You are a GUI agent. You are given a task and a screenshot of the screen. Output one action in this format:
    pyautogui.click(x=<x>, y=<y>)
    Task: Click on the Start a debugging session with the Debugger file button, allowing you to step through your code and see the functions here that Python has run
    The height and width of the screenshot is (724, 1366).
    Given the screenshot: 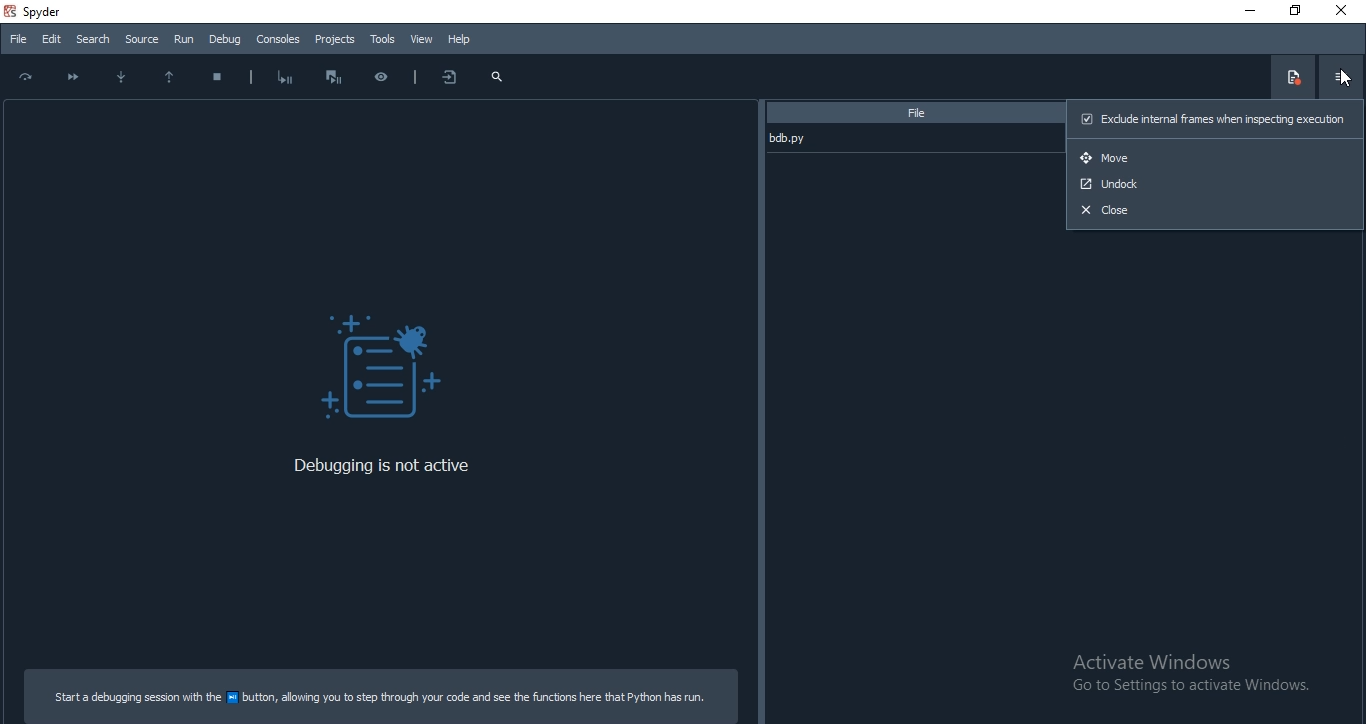 What is the action you would take?
    pyautogui.click(x=382, y=696)
    